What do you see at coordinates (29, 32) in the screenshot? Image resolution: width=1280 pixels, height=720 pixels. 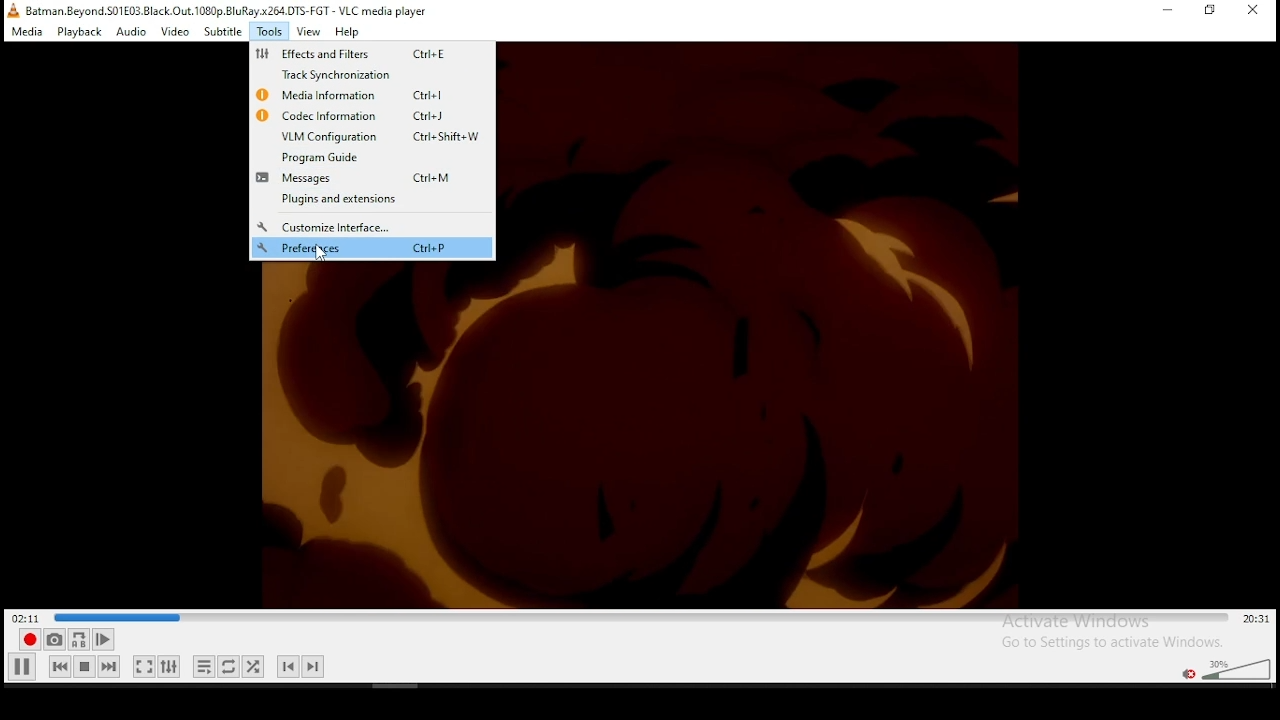 I see `media` at bounding box center [29, 32].